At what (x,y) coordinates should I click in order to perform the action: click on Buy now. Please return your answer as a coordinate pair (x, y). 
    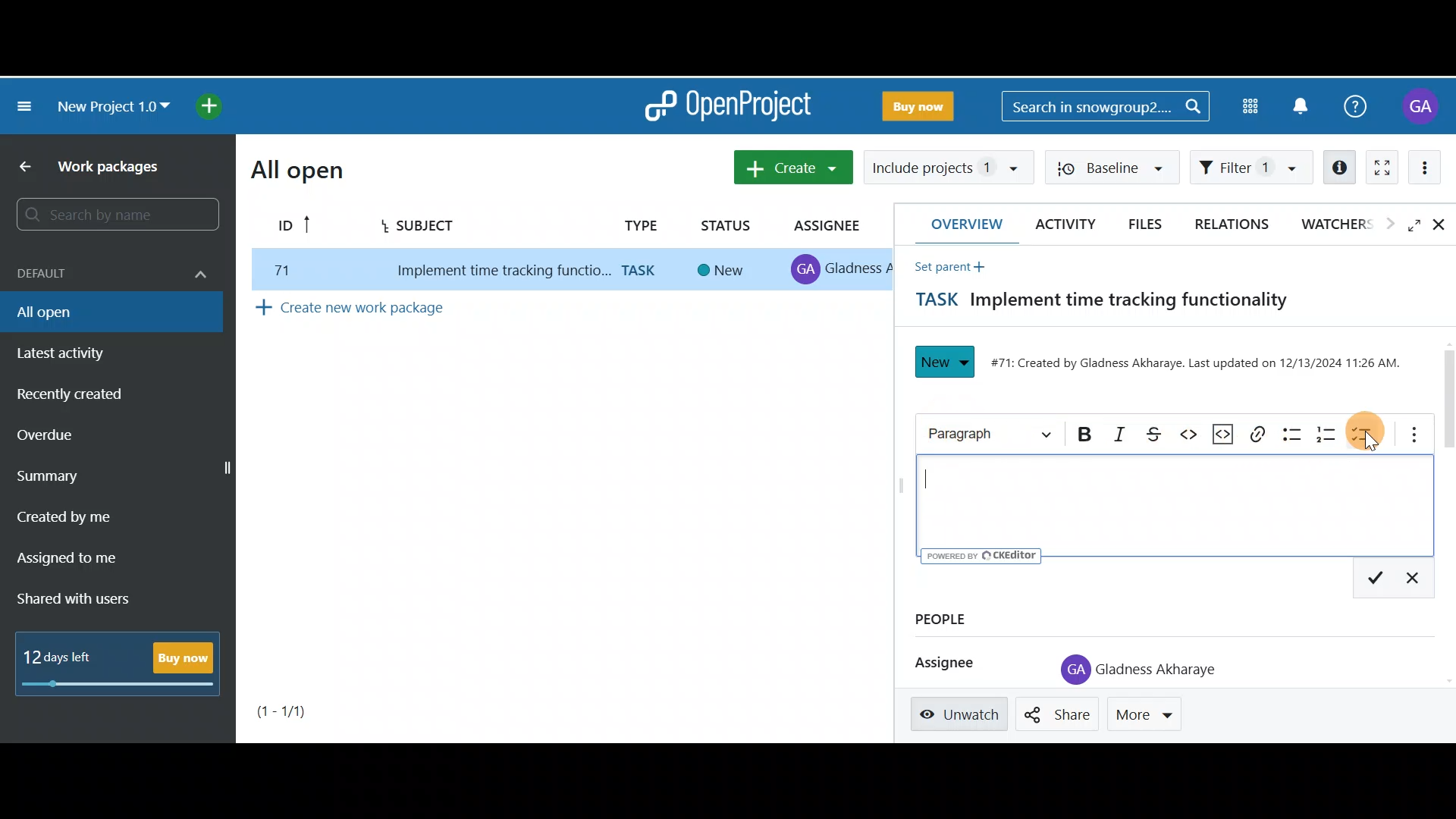
    Looking at the image, I should click on (916, 107).